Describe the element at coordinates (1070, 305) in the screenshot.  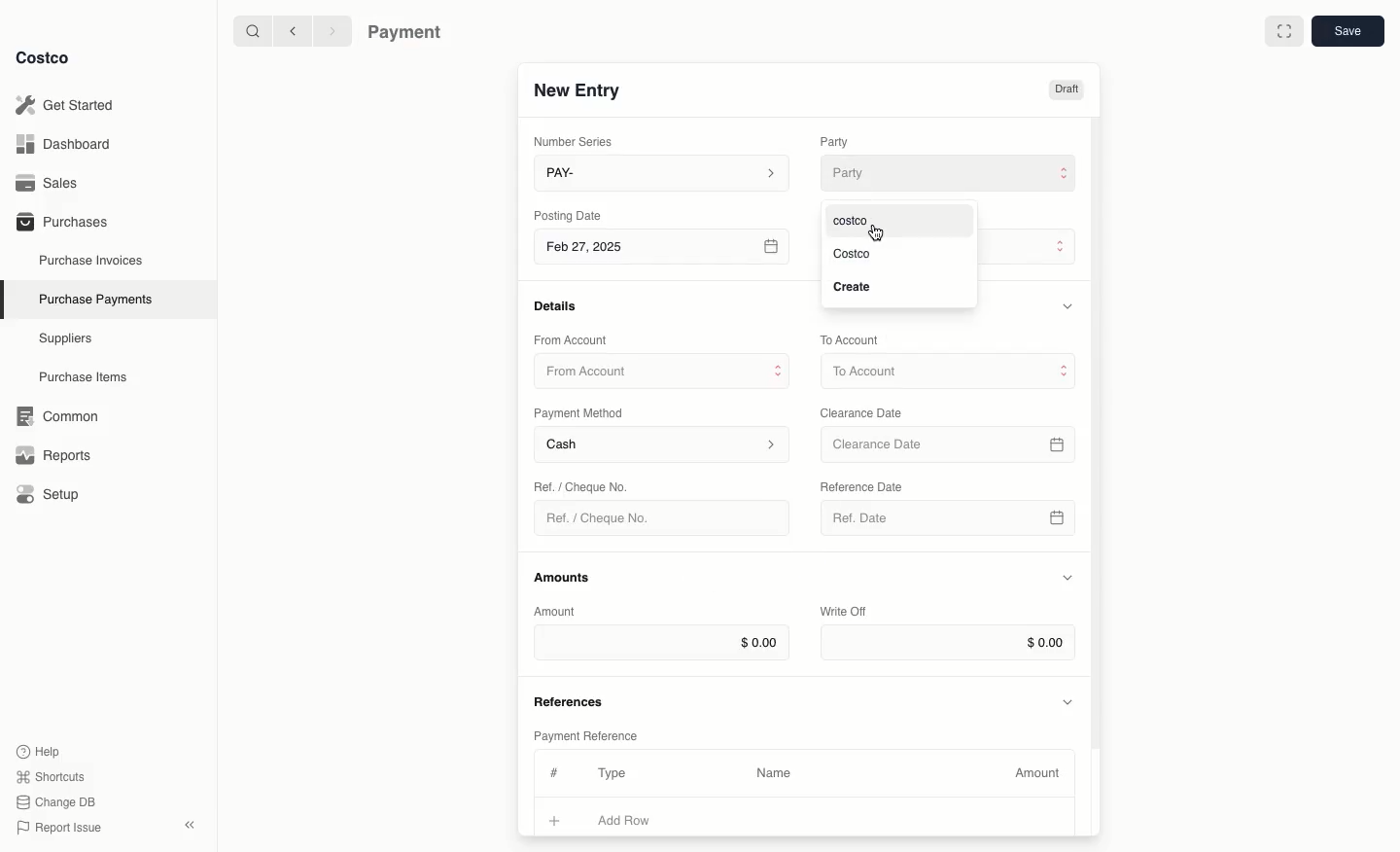
I see `Hide` at that location.